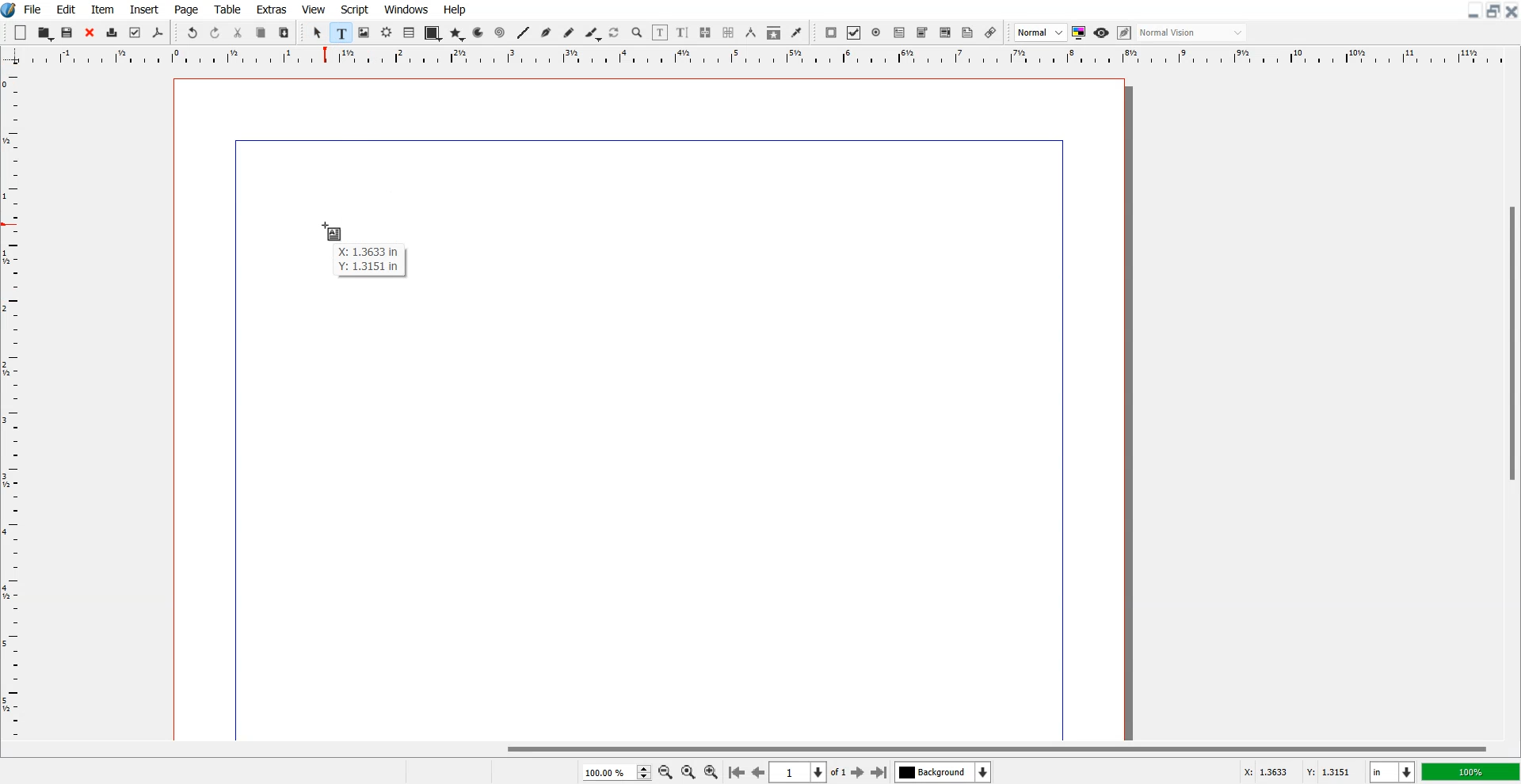 The height and width of the screenshot is (784, 1521). What do you see at coordinates (593, 34) in the screenshot?
I see `Calligraphic line ` at bounding box center [593, 34].